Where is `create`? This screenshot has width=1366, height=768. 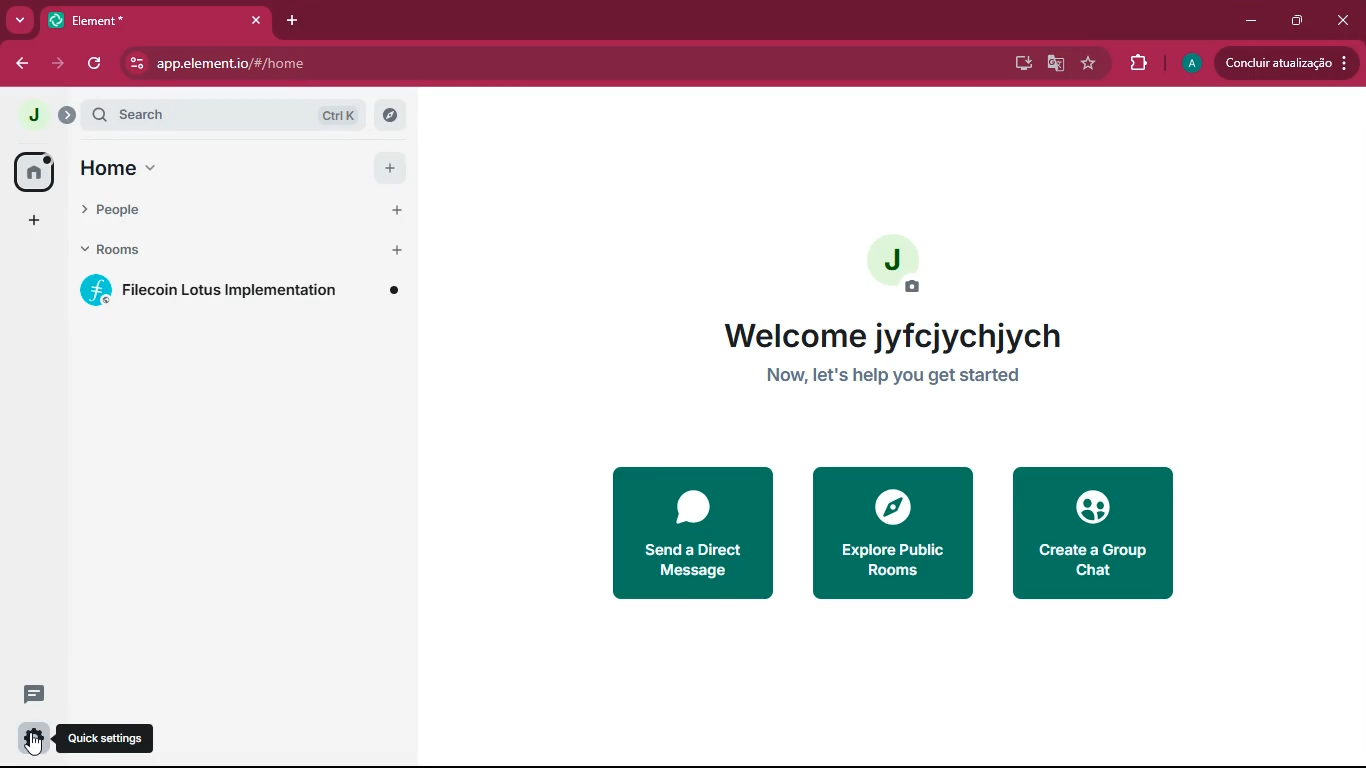 create is located at coordinates (1099, 534).